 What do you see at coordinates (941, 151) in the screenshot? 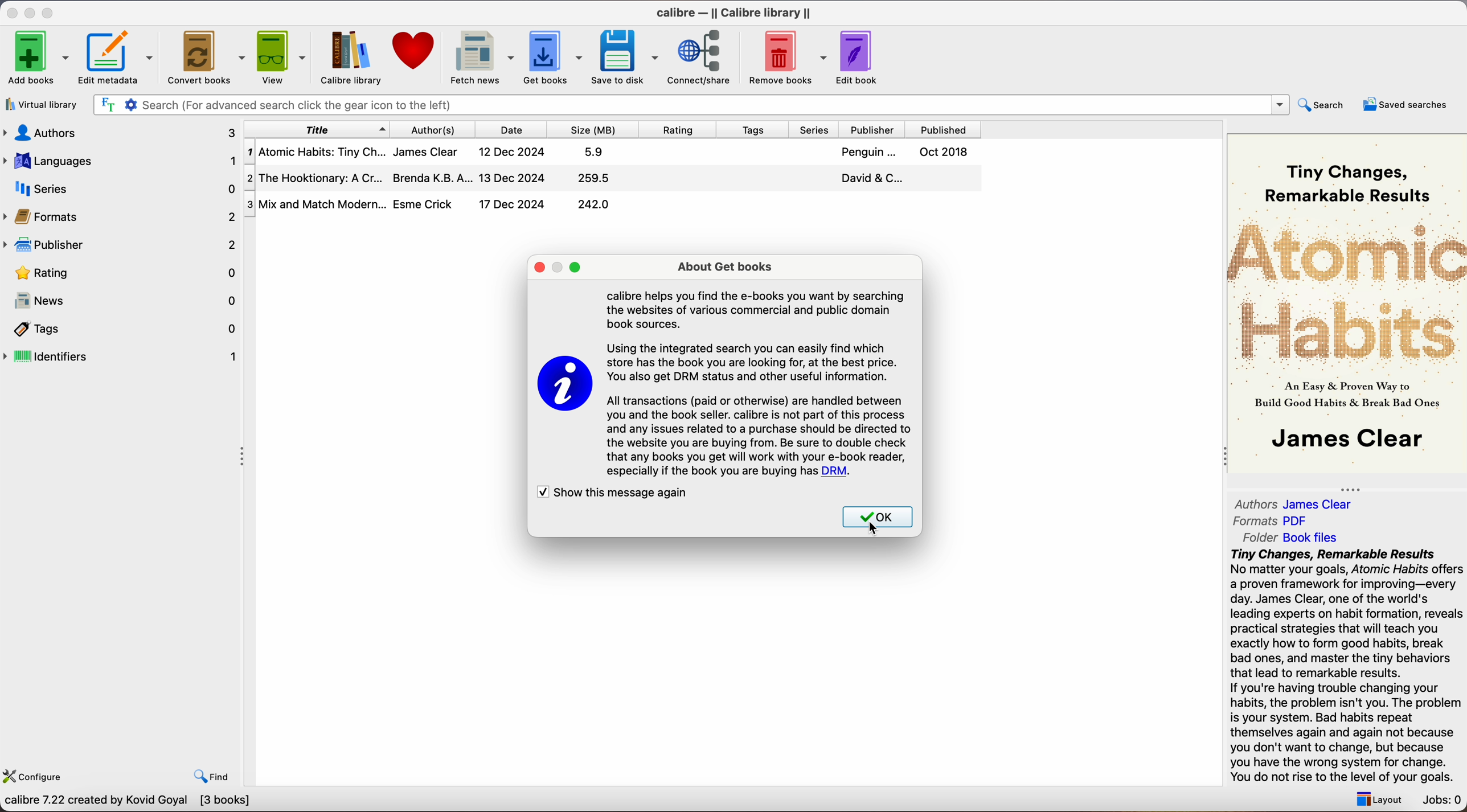
I see `Oct 2018` at bounding box center [941, 151].